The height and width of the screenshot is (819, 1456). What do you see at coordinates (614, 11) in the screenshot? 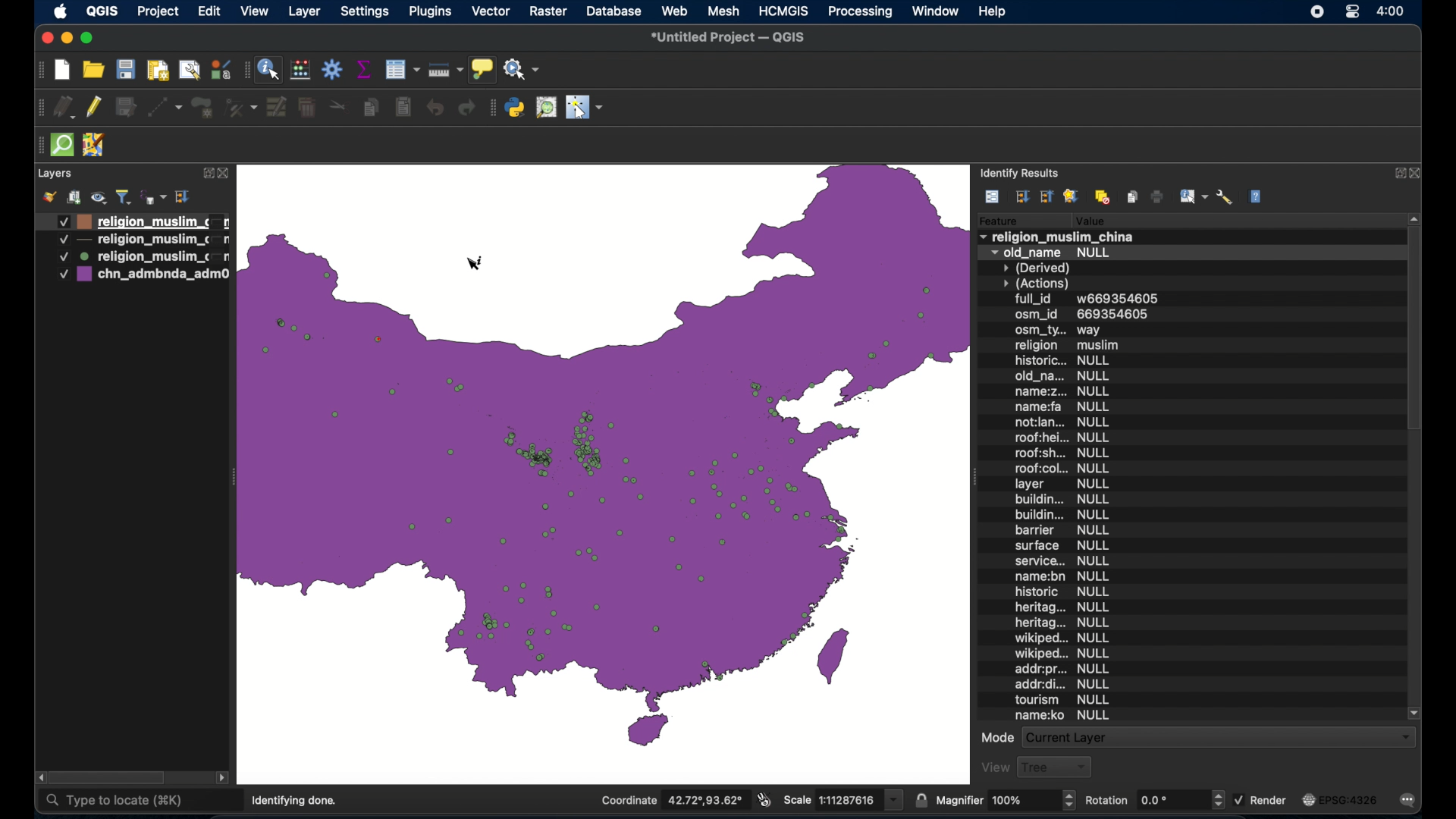
I see `database` at bounding box center [614, 11].